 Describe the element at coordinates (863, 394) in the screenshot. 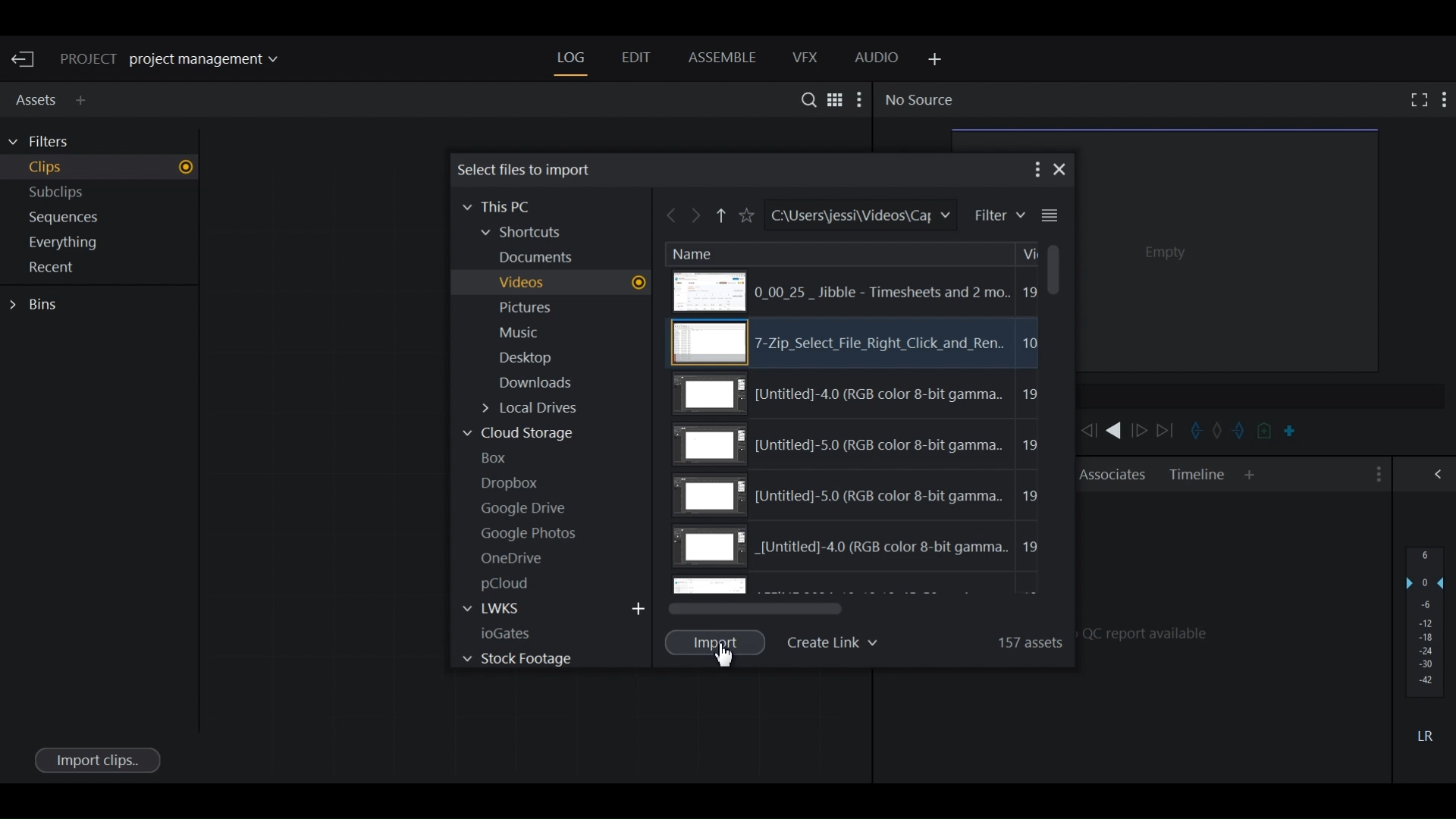

I see `RGB color` at that location.